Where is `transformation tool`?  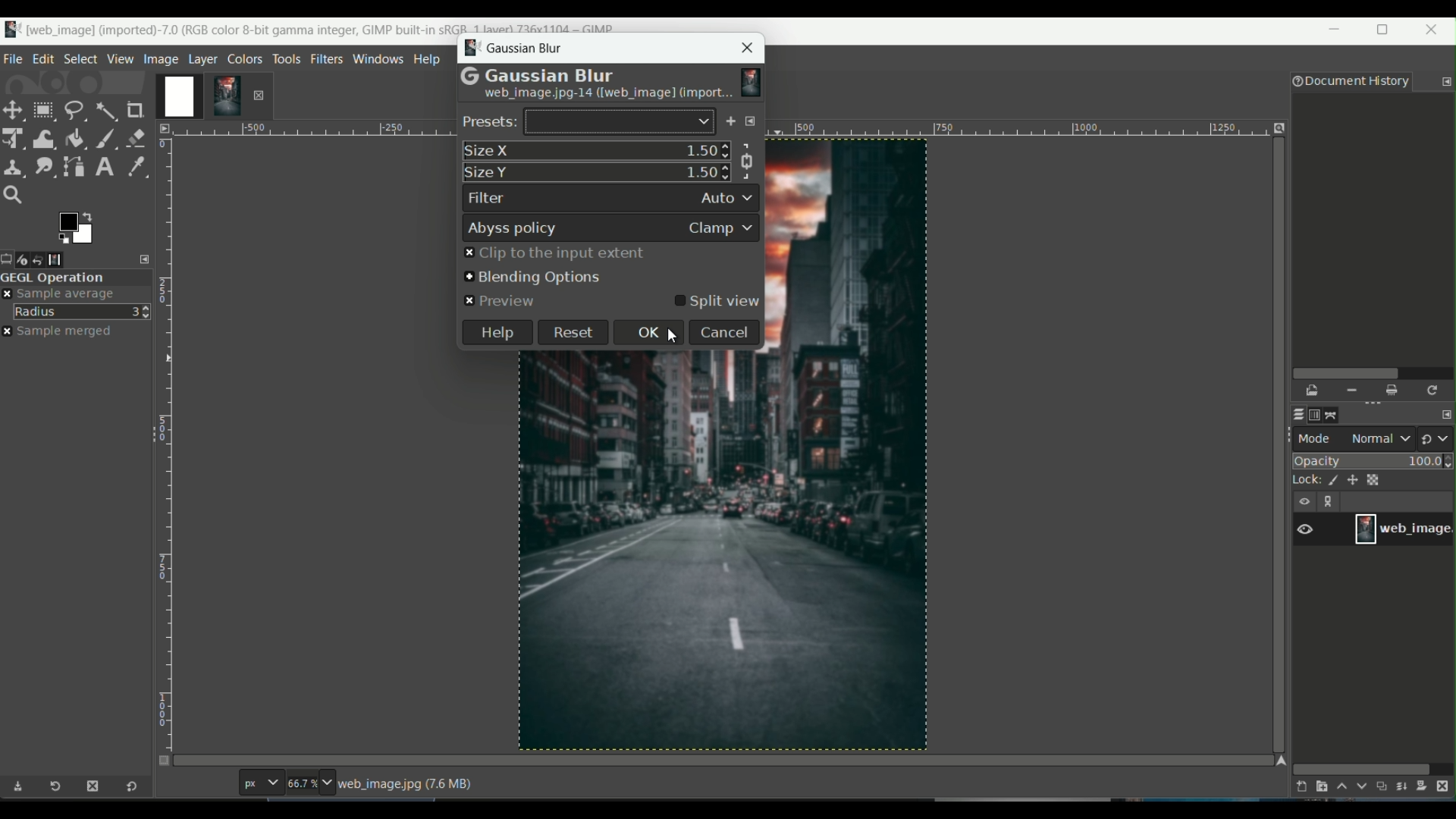 transformation tool is located at coordinates (44, 136).